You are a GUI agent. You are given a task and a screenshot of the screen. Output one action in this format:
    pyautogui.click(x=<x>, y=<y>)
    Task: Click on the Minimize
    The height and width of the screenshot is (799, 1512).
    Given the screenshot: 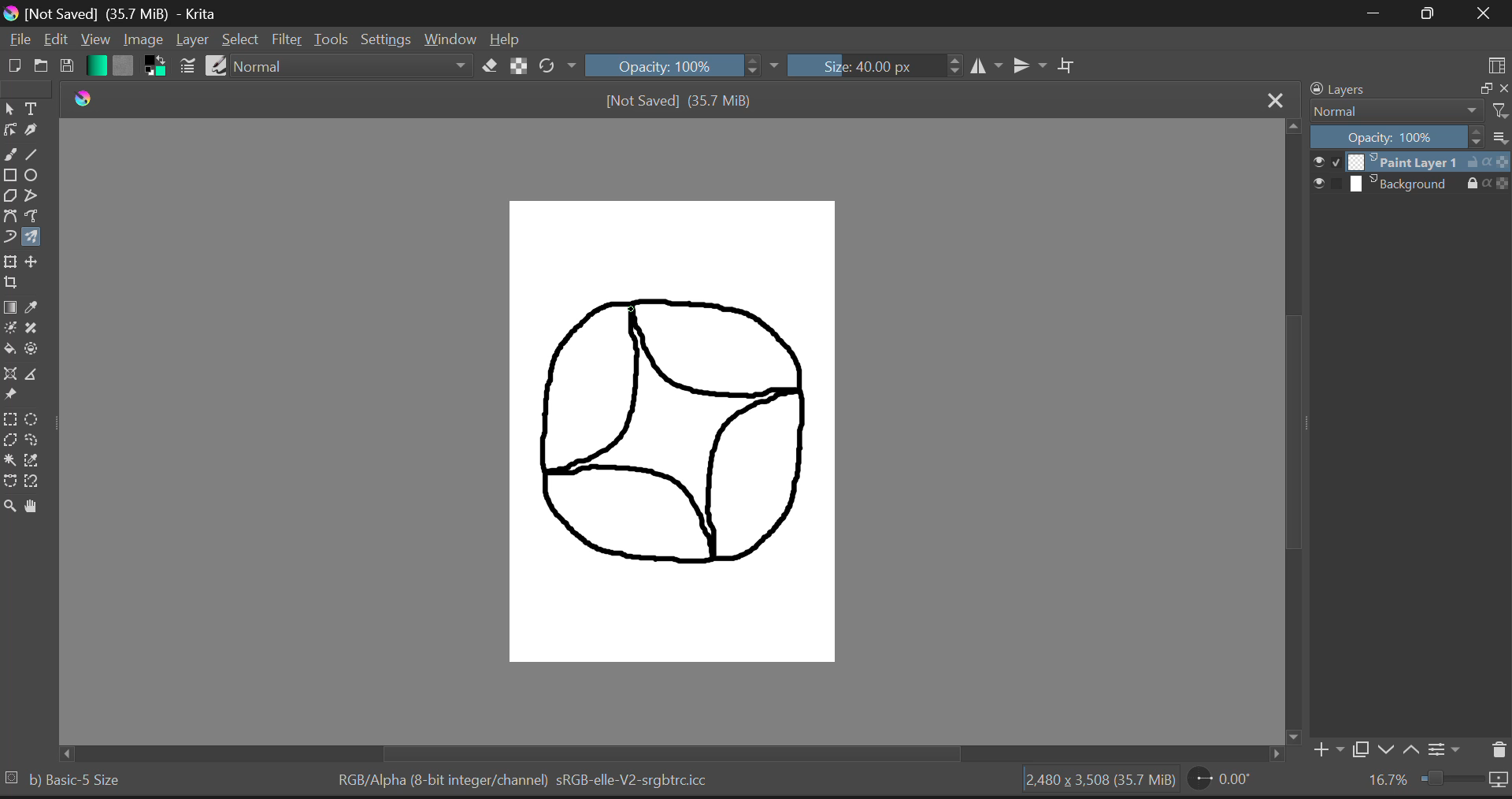 What is the action you would take?
    pyautogui.click(x=1432, y=13)
    